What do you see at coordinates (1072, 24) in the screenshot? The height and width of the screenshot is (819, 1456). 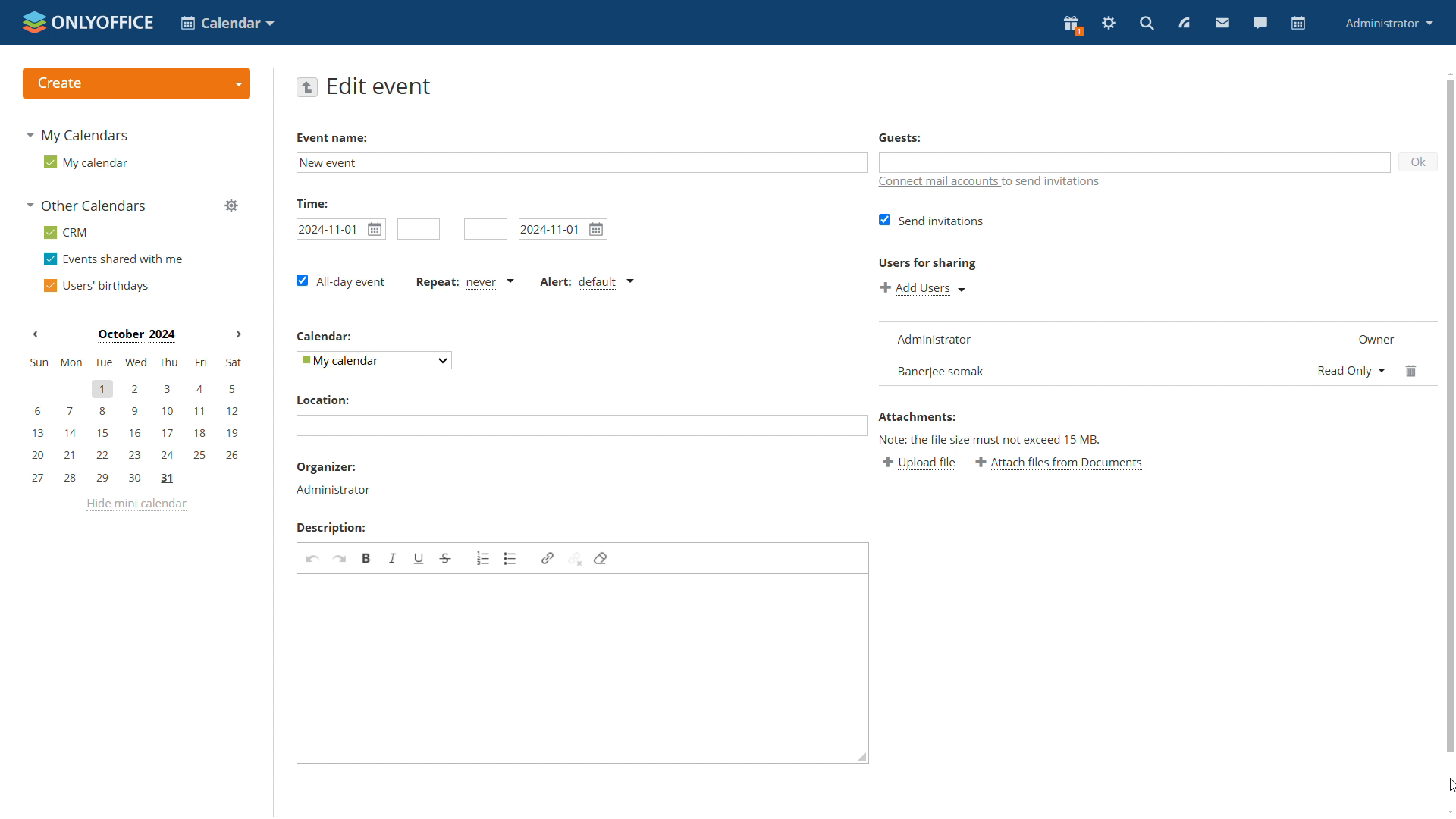 I see `present` at bounding box center [1072, 24].